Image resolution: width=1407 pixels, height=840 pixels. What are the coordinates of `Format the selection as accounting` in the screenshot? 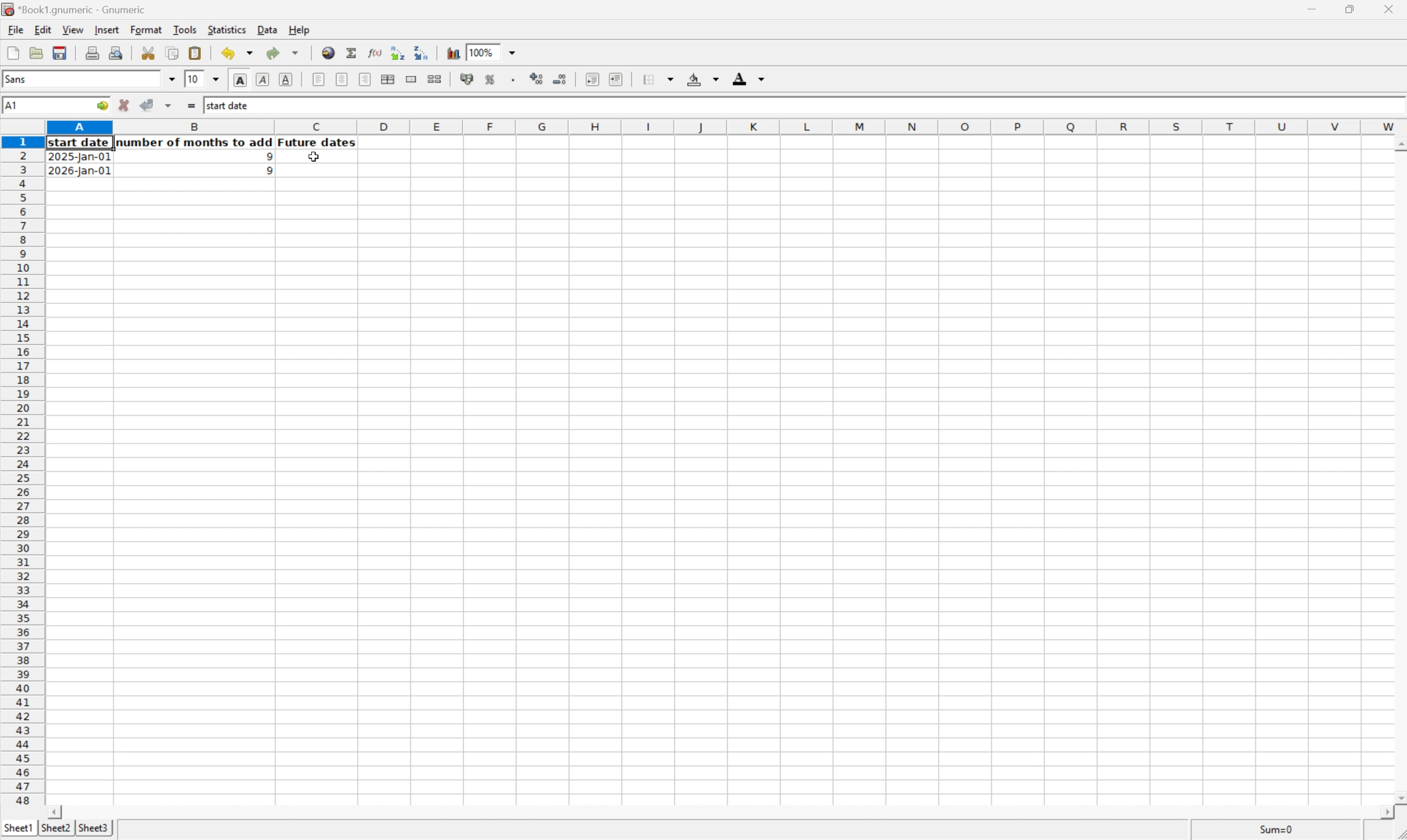 It's located at (465, 79).